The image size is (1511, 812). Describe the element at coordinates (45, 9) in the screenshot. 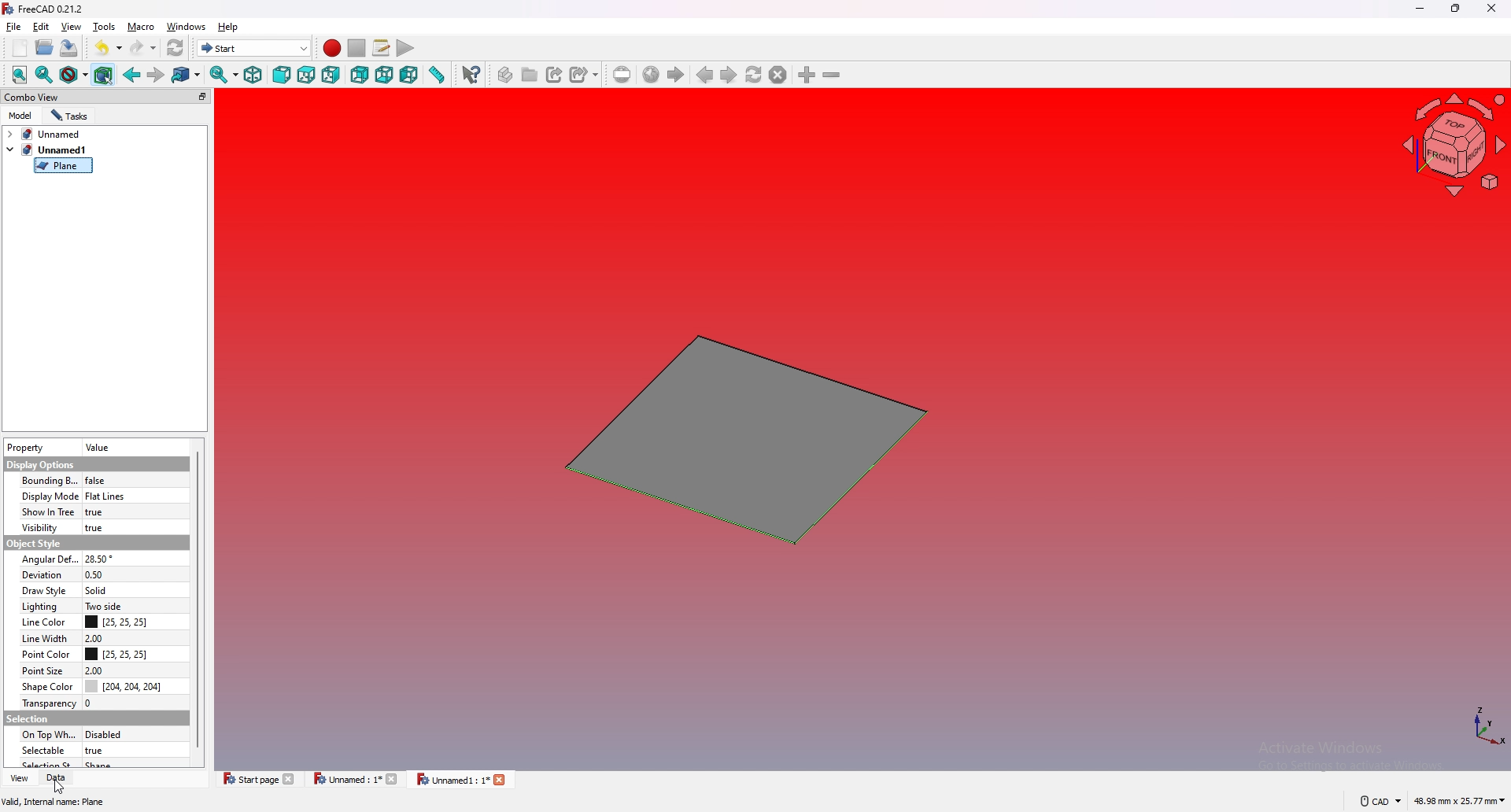

I see `FreeCAD 0.21.2` at that location.